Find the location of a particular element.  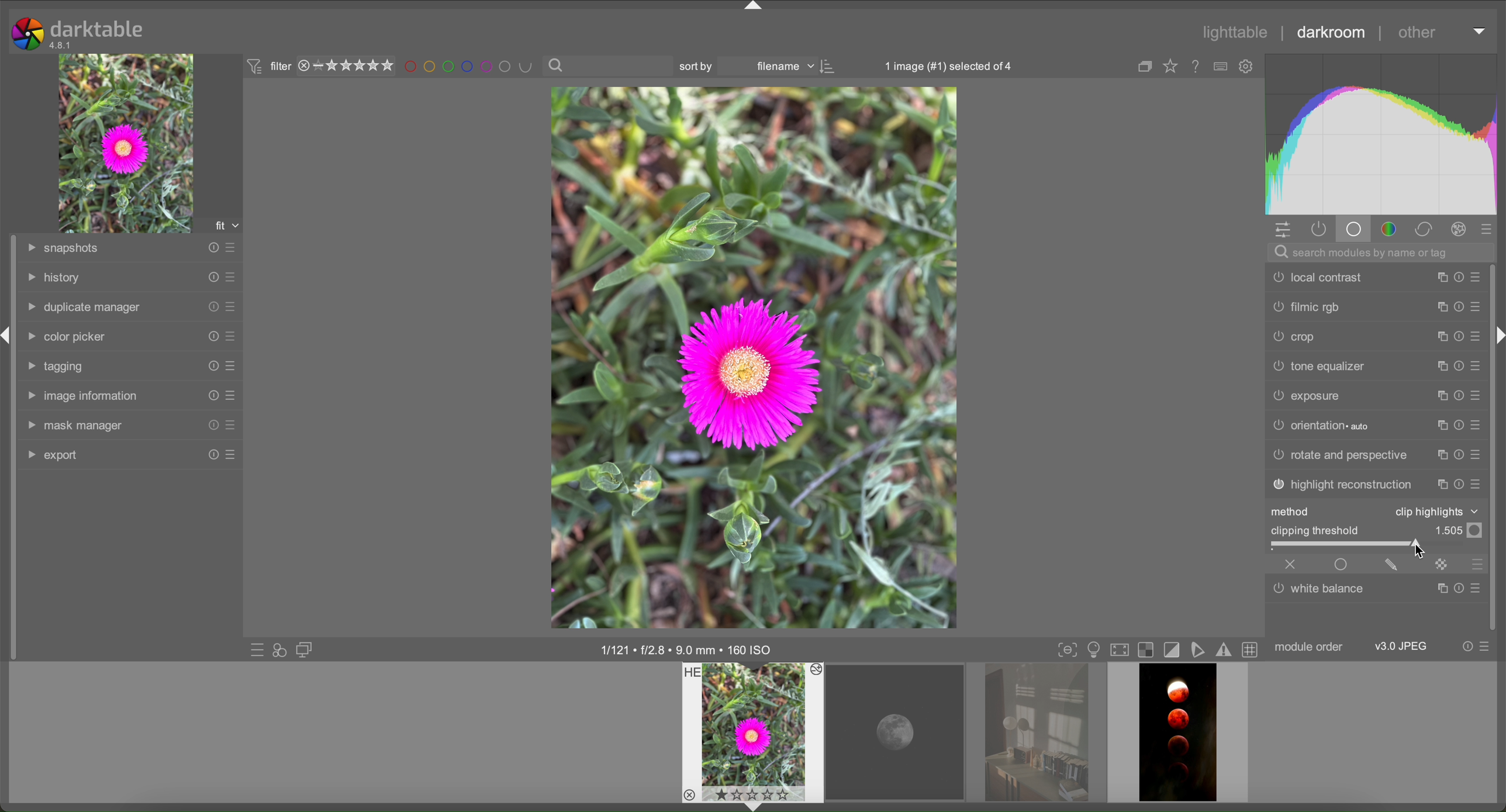

mask manager tab is located at coordinates (75, 426).